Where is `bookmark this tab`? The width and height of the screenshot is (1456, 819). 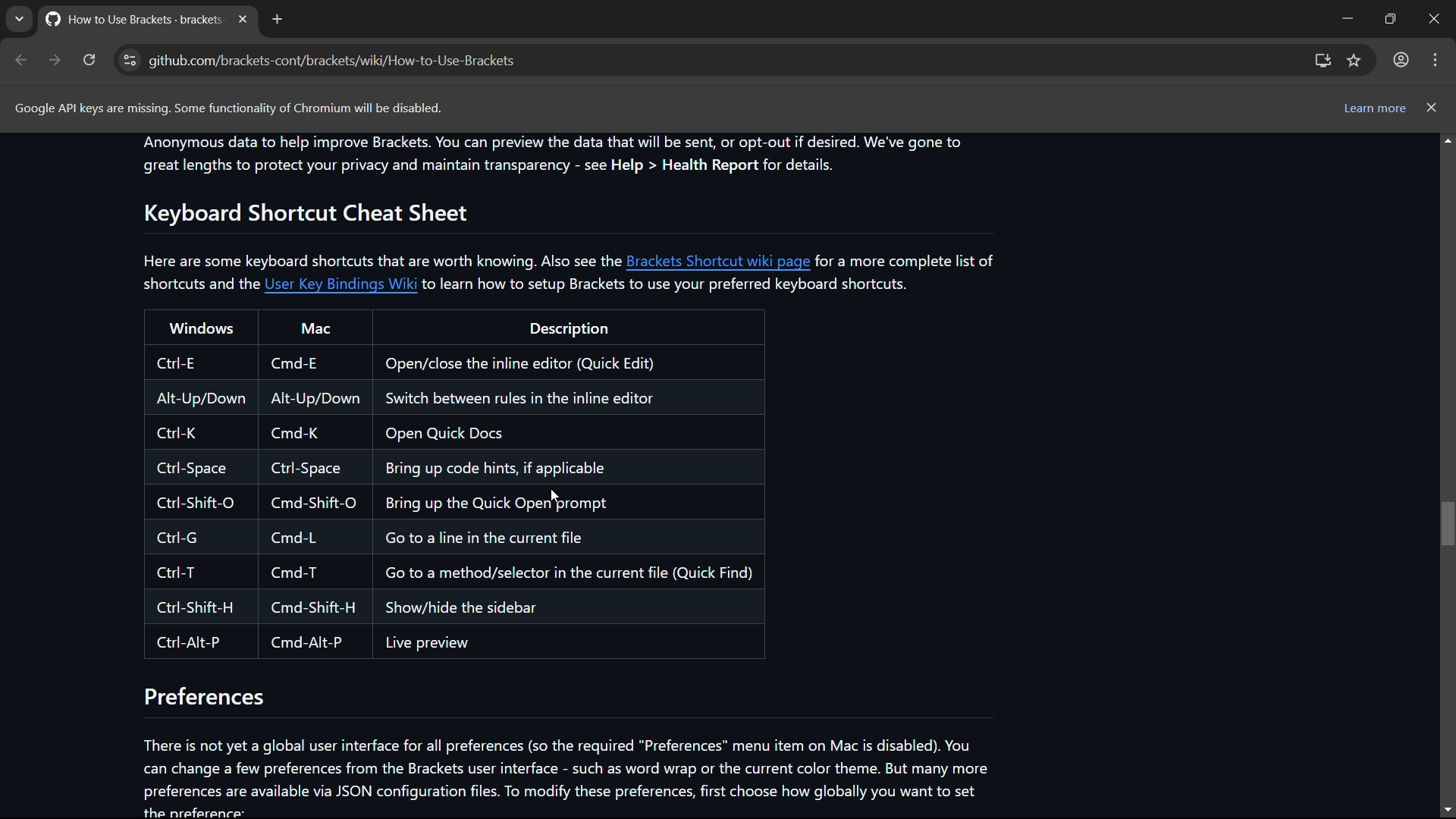 bookmark this tab is located at coordinates (1355, 60).